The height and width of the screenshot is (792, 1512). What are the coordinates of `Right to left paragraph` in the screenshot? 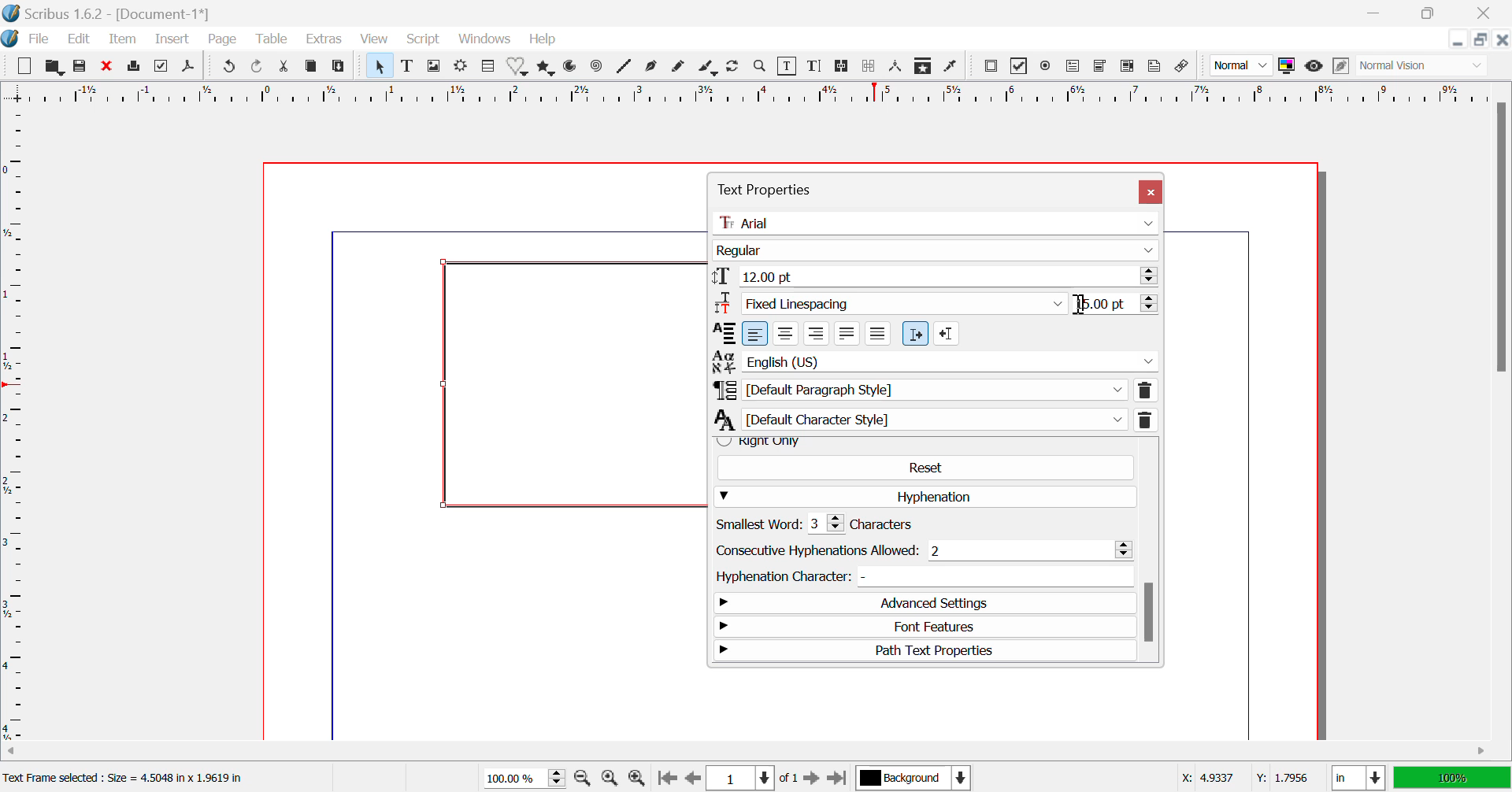 It's located at (947, 333).